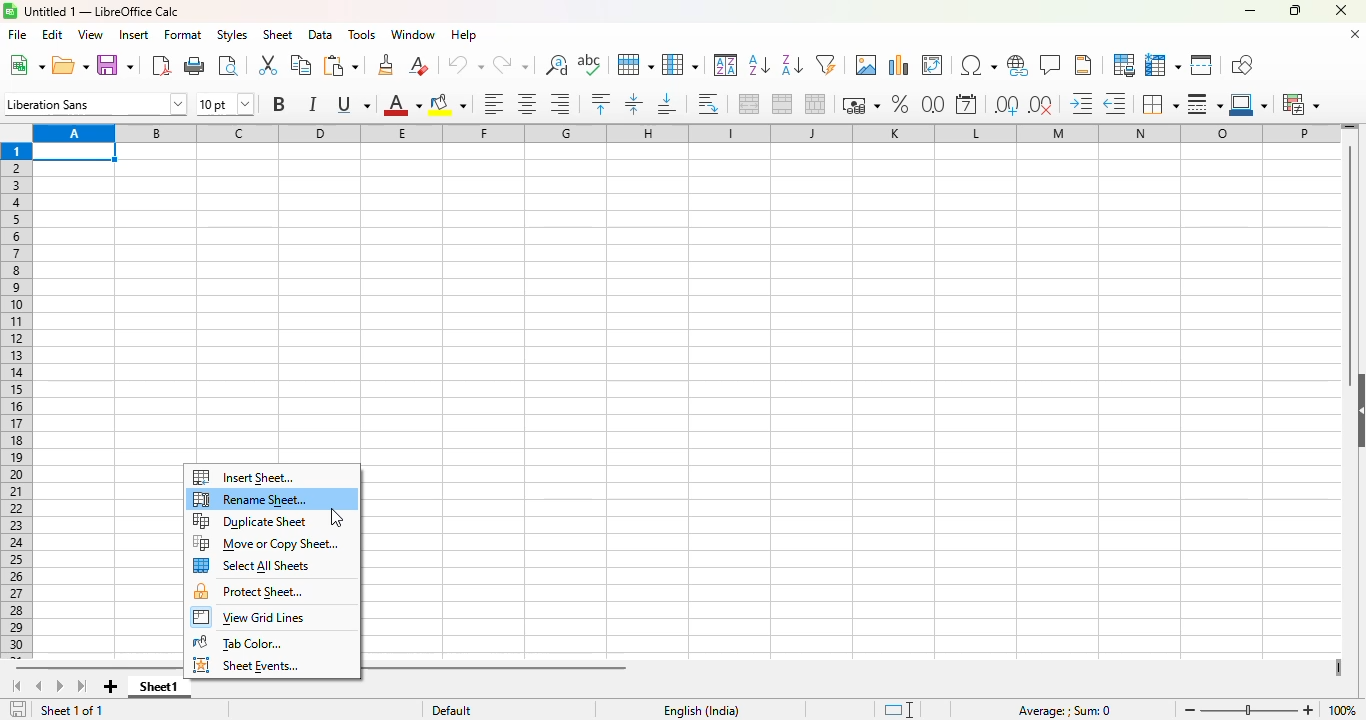  I want to click on insert hyperlink, so click(1018, 66).